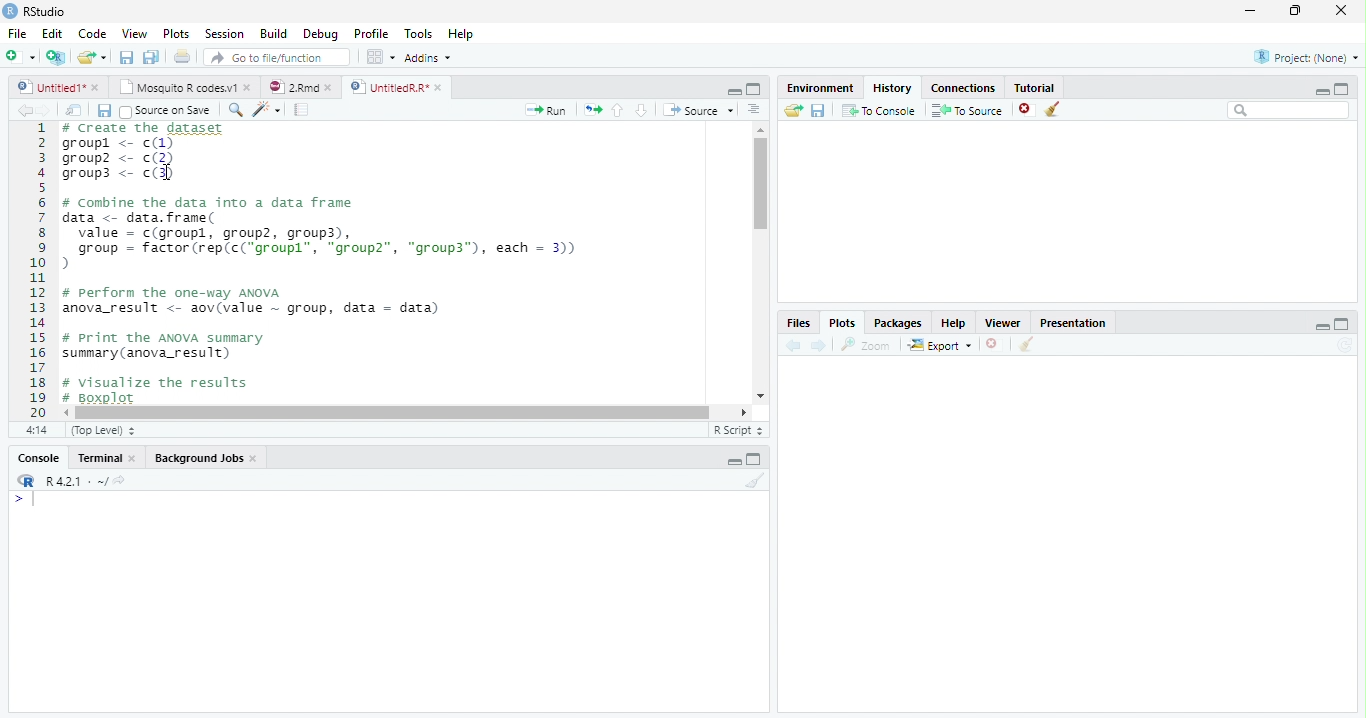  I want to click on Files, so click(797, 323).